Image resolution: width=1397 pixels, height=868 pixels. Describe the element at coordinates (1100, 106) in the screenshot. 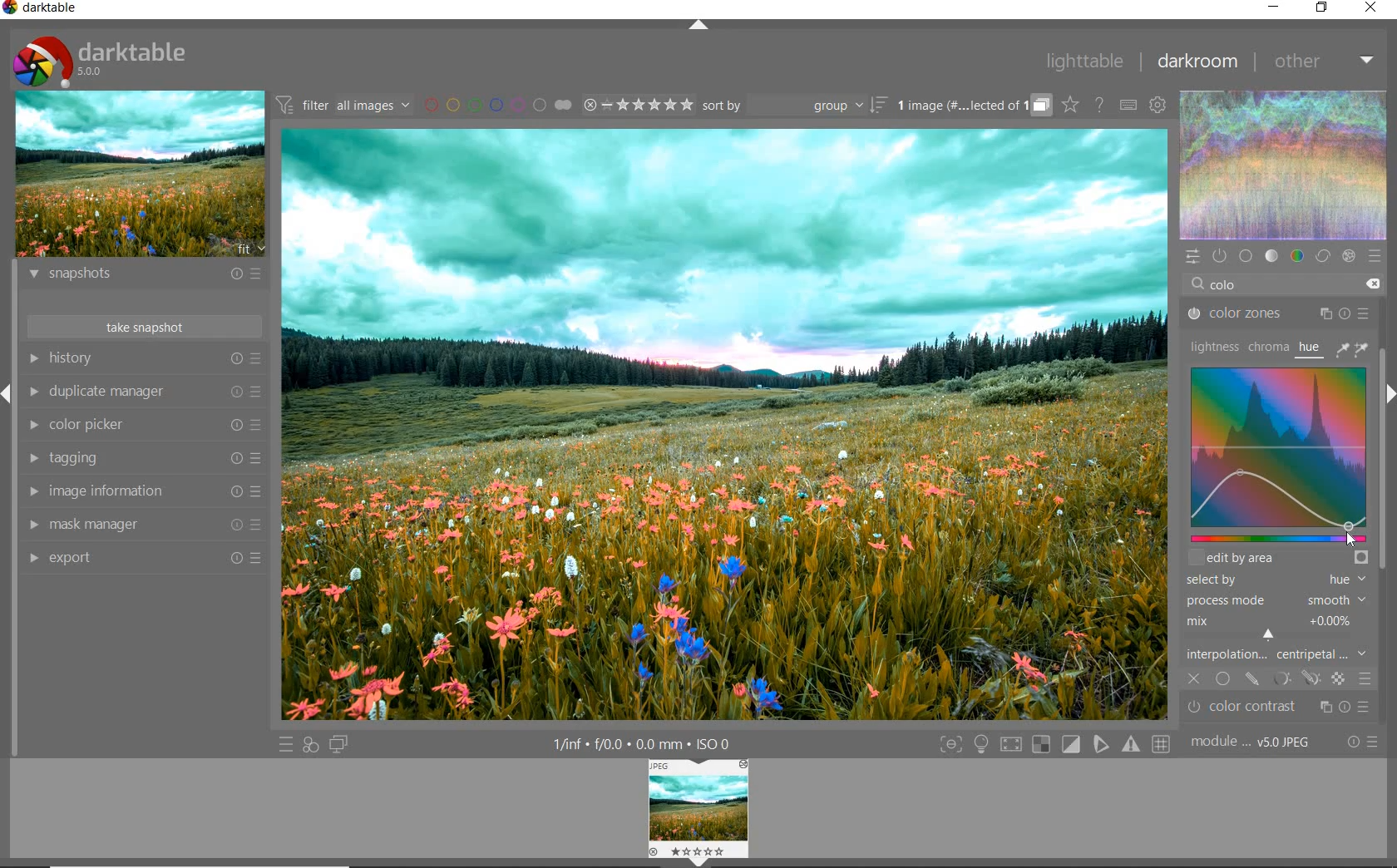

I see `enable online help` at that location.